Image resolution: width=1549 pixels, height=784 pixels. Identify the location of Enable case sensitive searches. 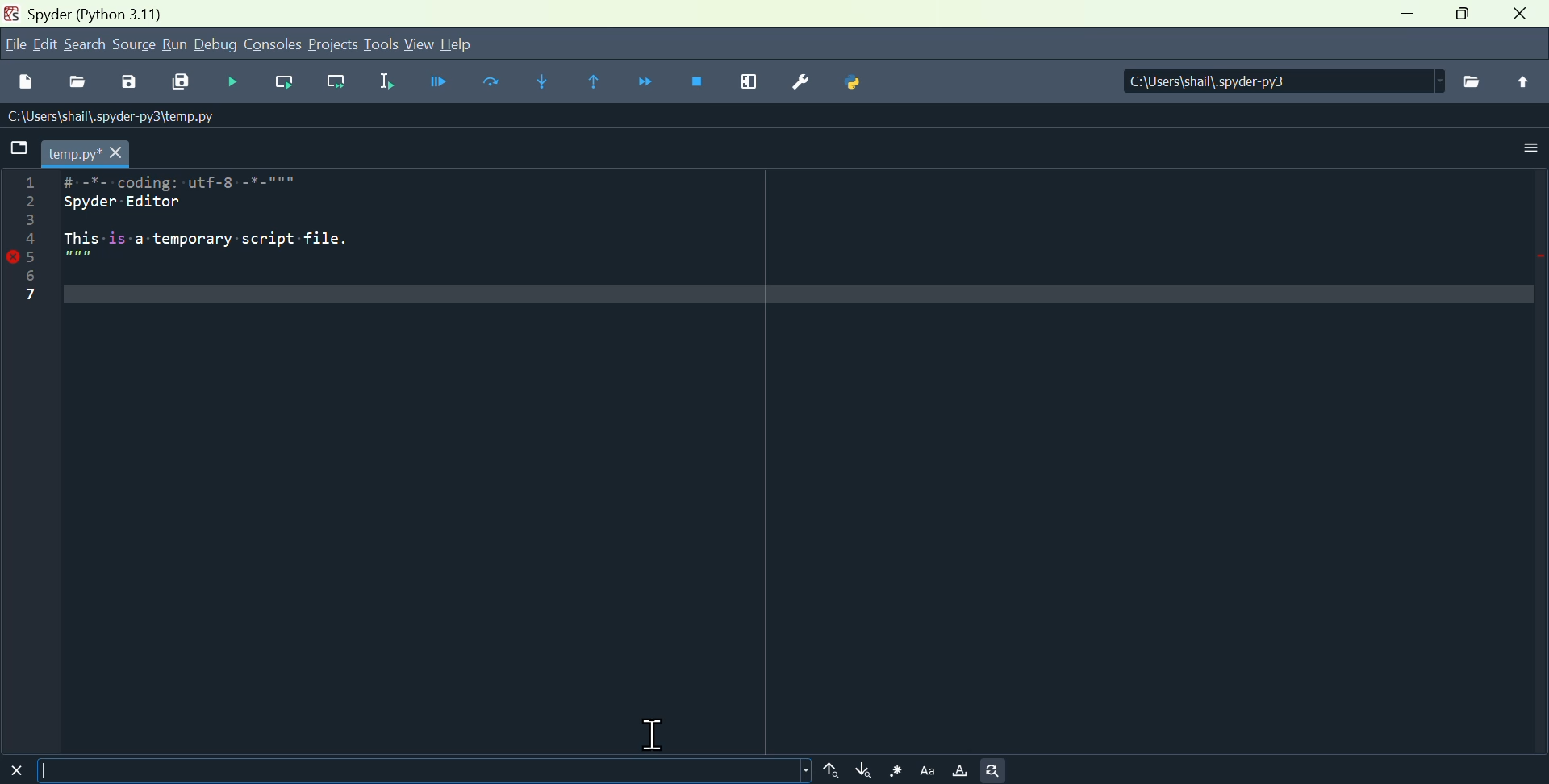
(925, 770).